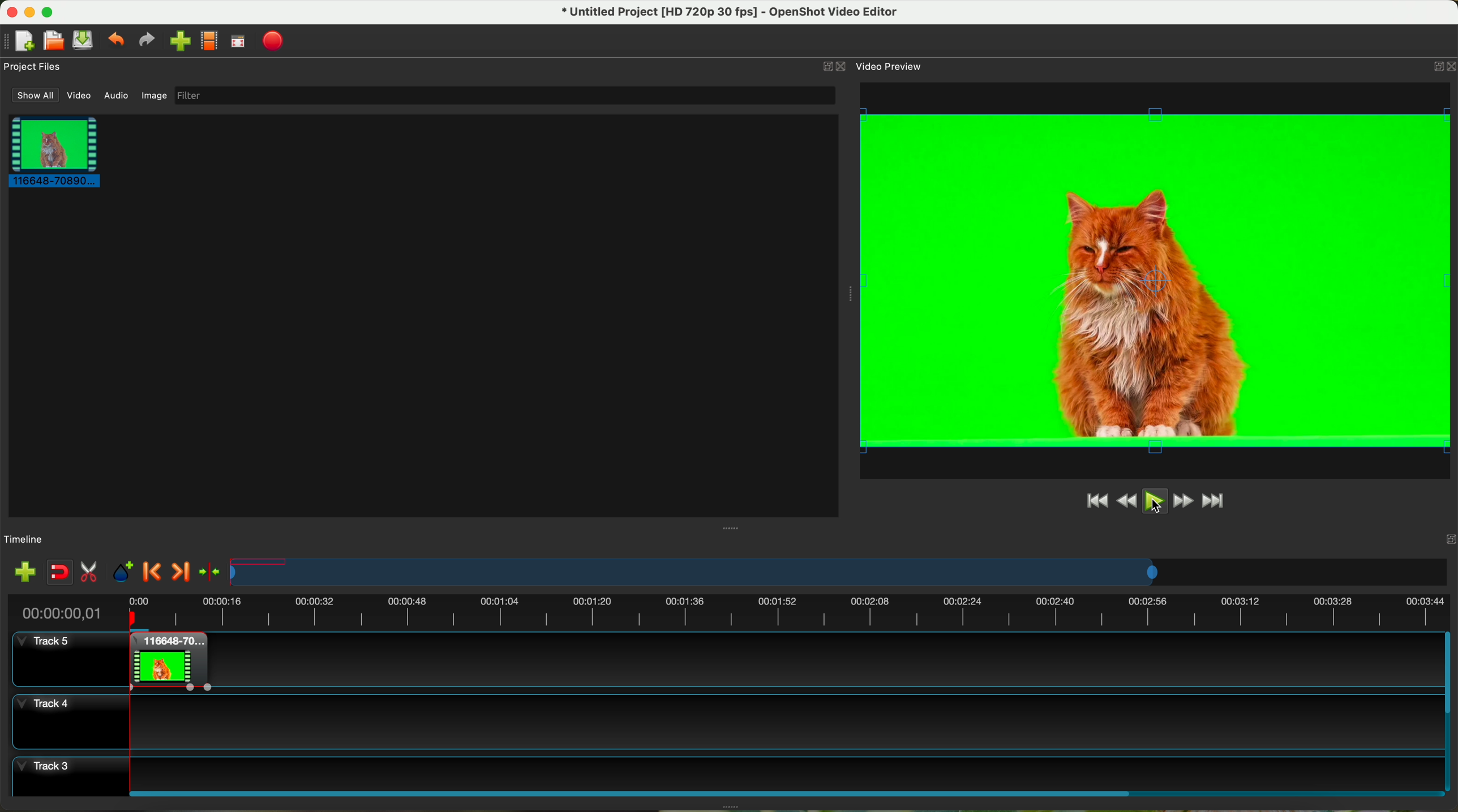  What do you see at coordinates (117, 96) in the screenshot?
I see `audio` at bounding box center [117, 96].